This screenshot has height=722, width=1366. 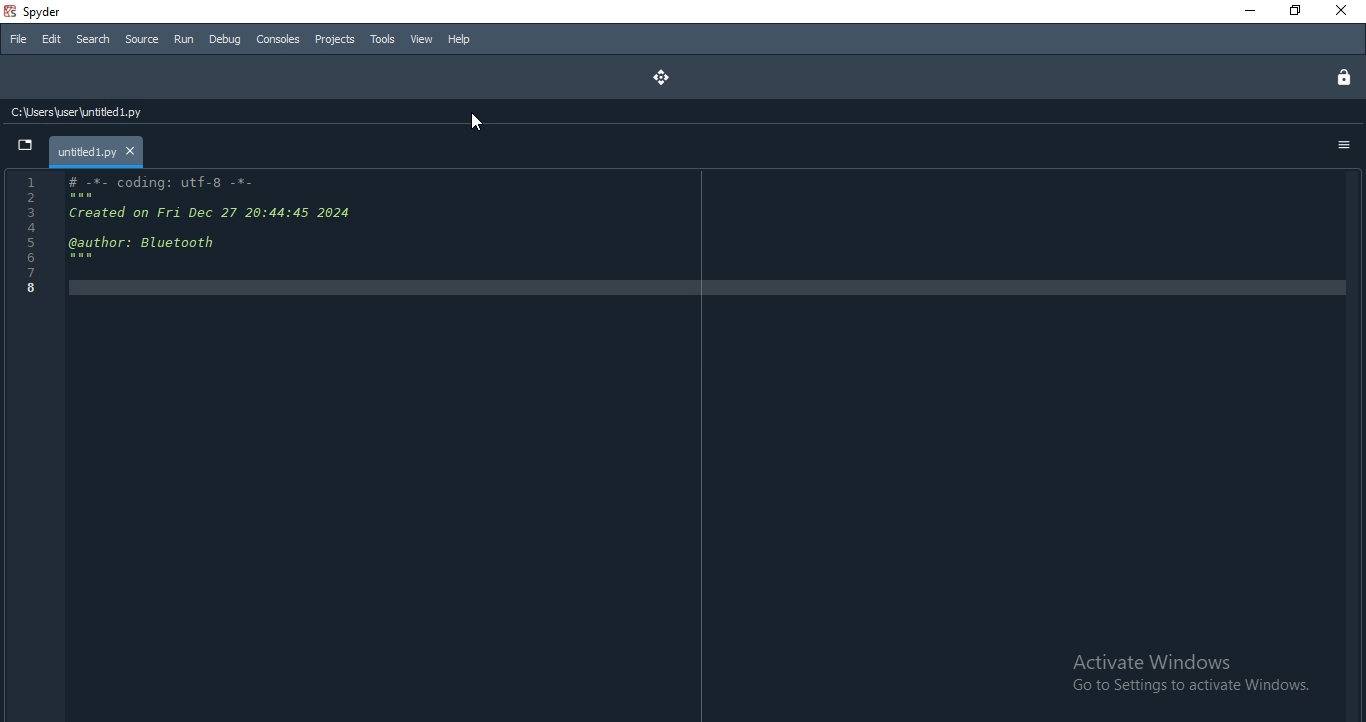 What do you see at coordinates (277, 37) in the screenshot?
I see `Consoles` at bounding box center [277, 37].